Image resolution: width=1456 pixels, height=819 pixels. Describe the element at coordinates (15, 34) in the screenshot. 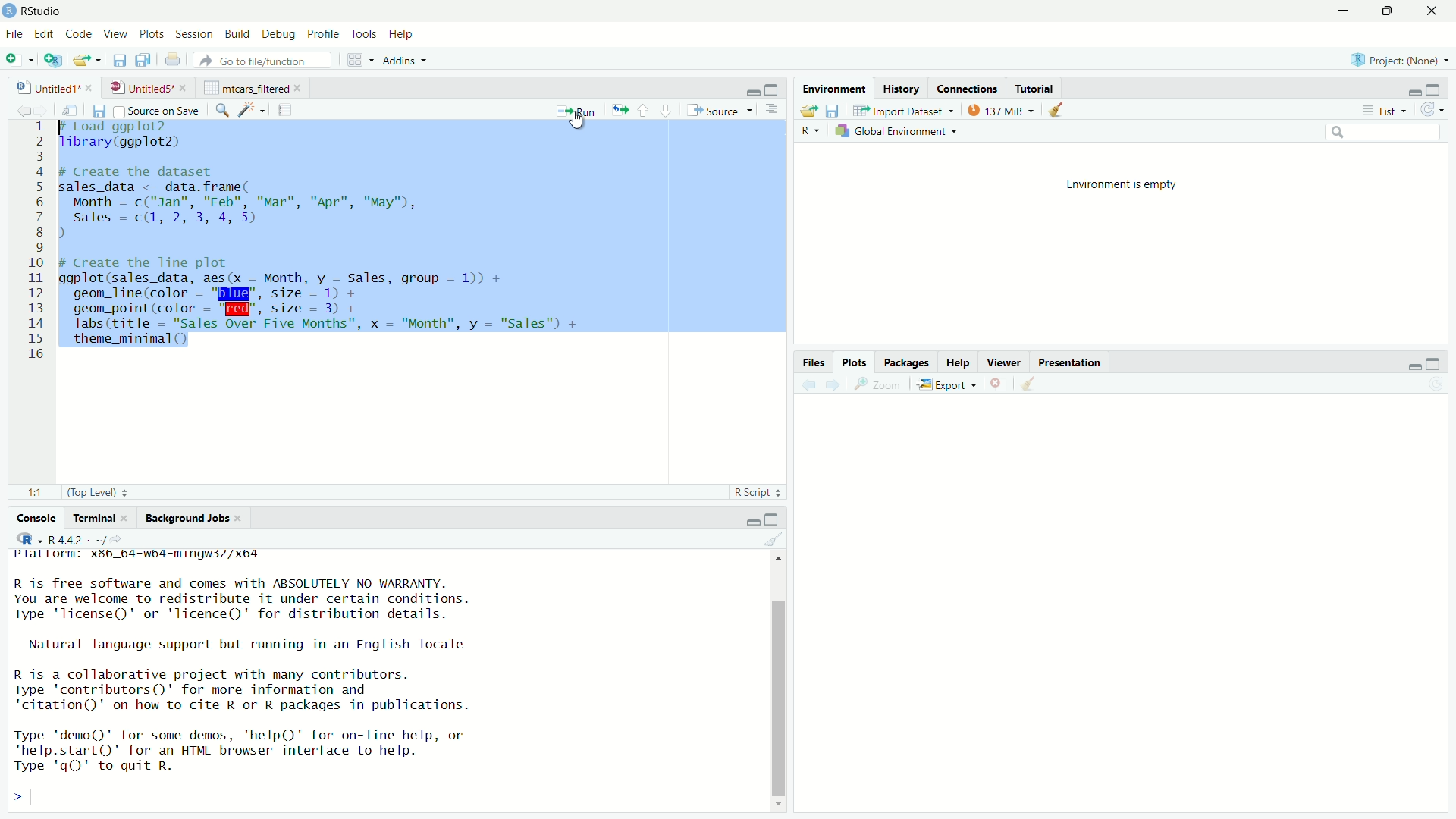

I see `file` at that location.